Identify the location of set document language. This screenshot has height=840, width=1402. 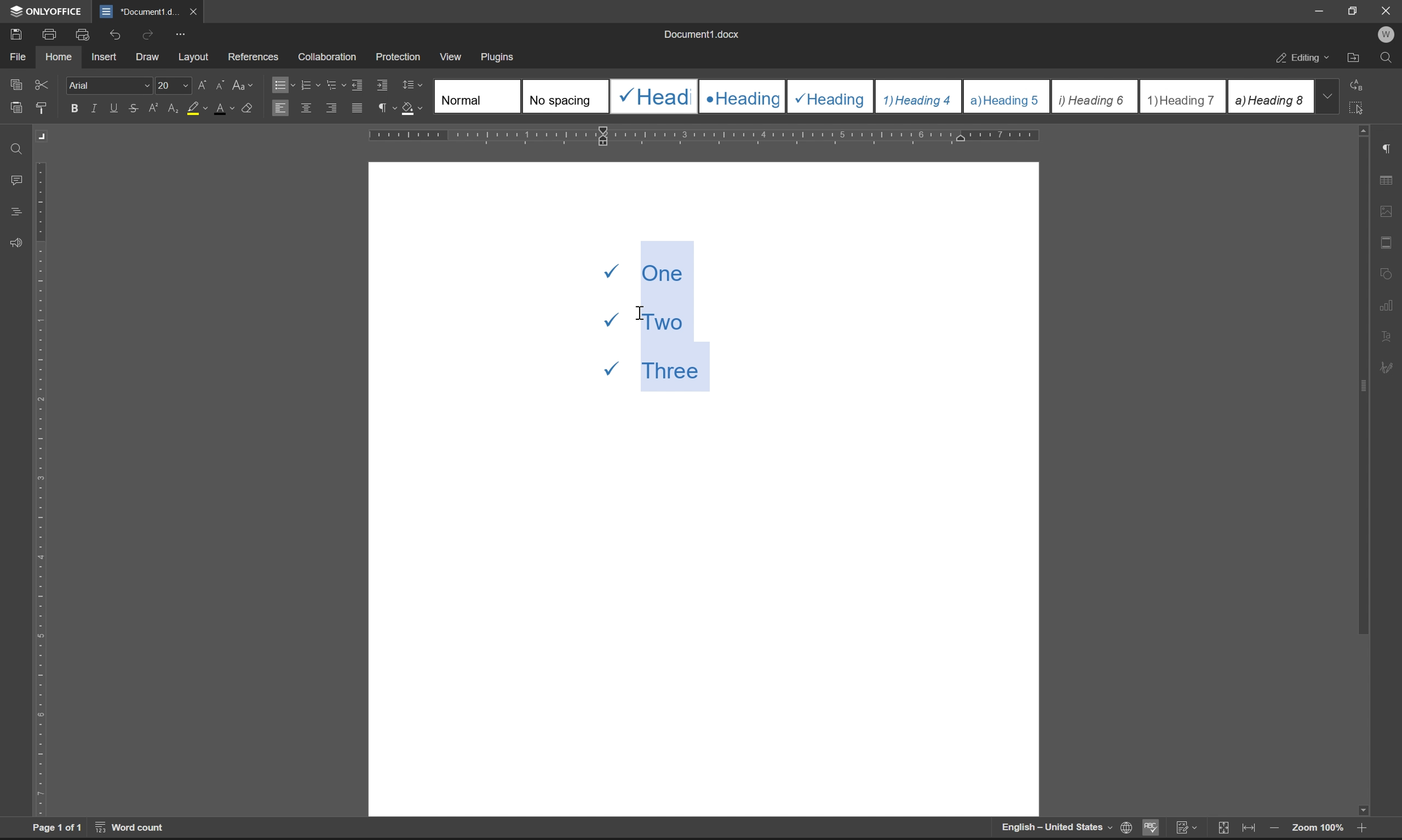
(1124, 828).